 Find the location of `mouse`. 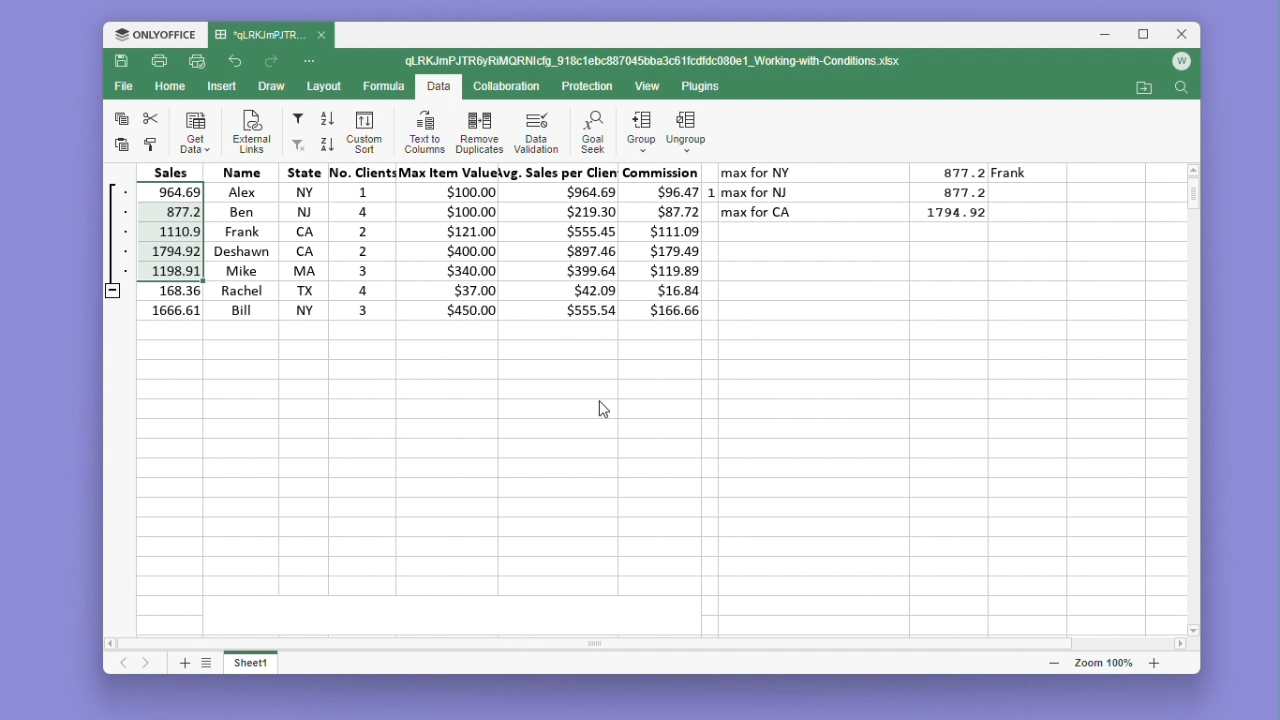

mouse is located at coordinates (603, 408).